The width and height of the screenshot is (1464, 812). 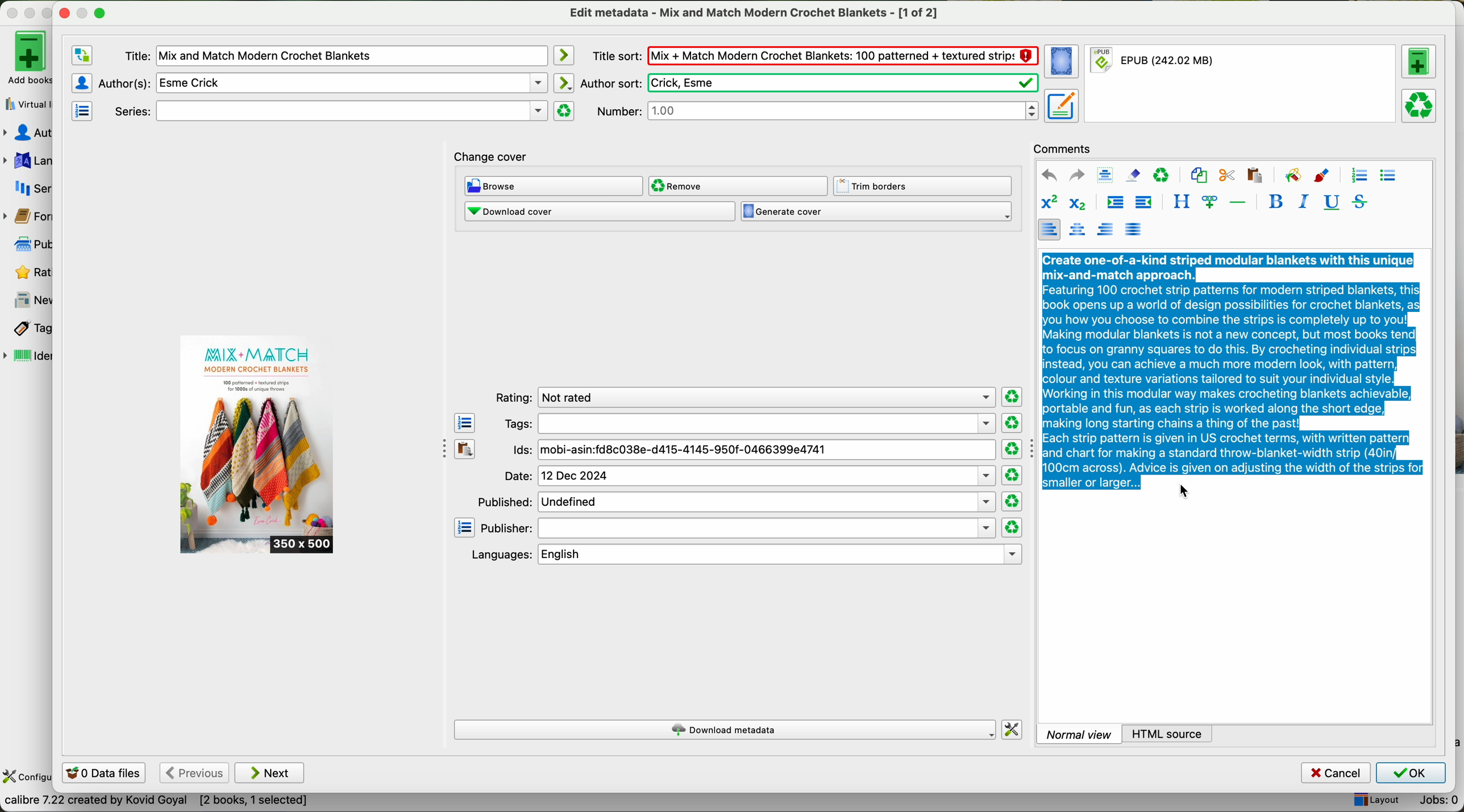 I want to click on news, so click(x=28, y=301).